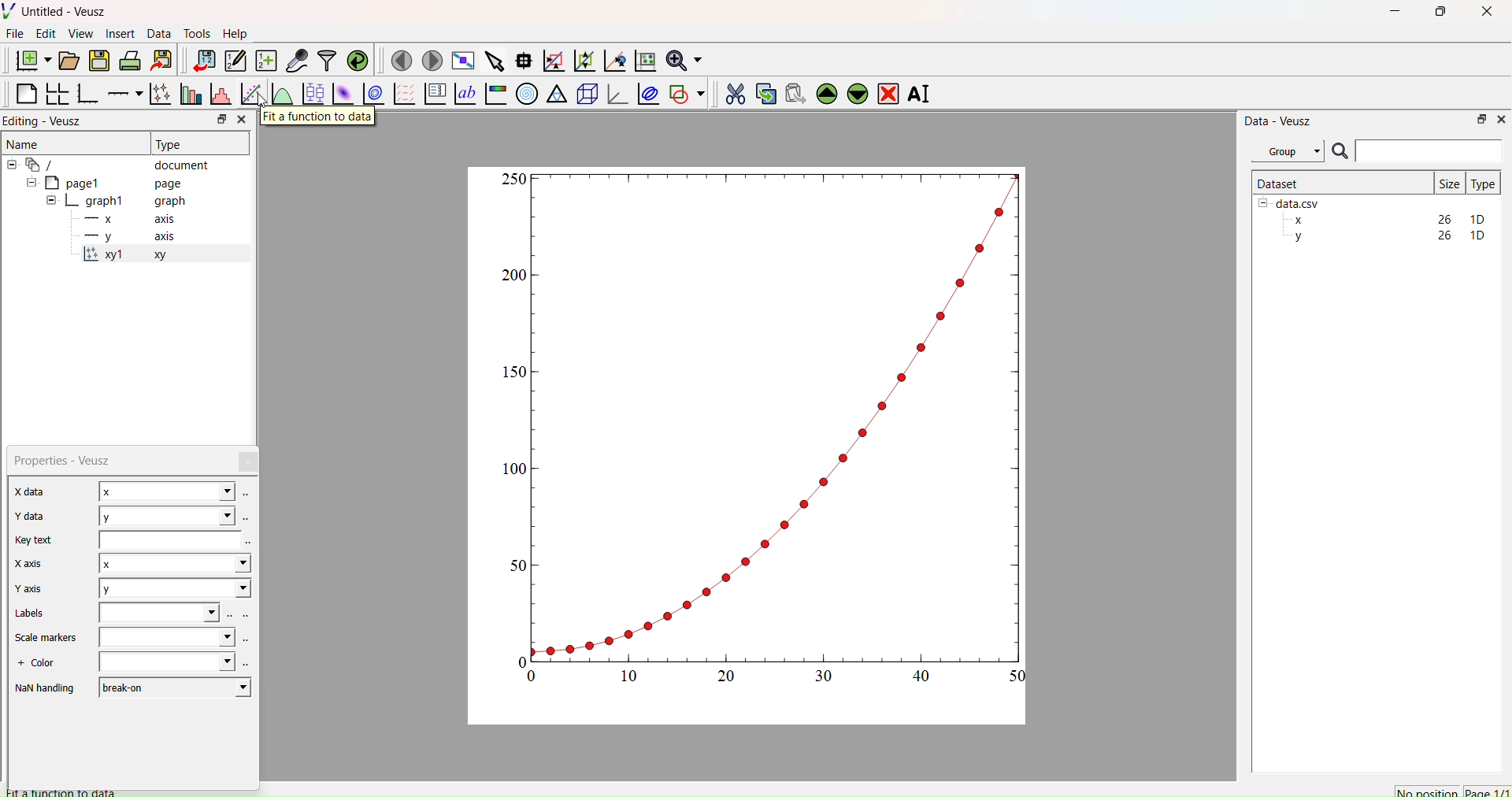  Describe the element at coordinates (250, 462) in the screenshot. I see `Close` at that location.